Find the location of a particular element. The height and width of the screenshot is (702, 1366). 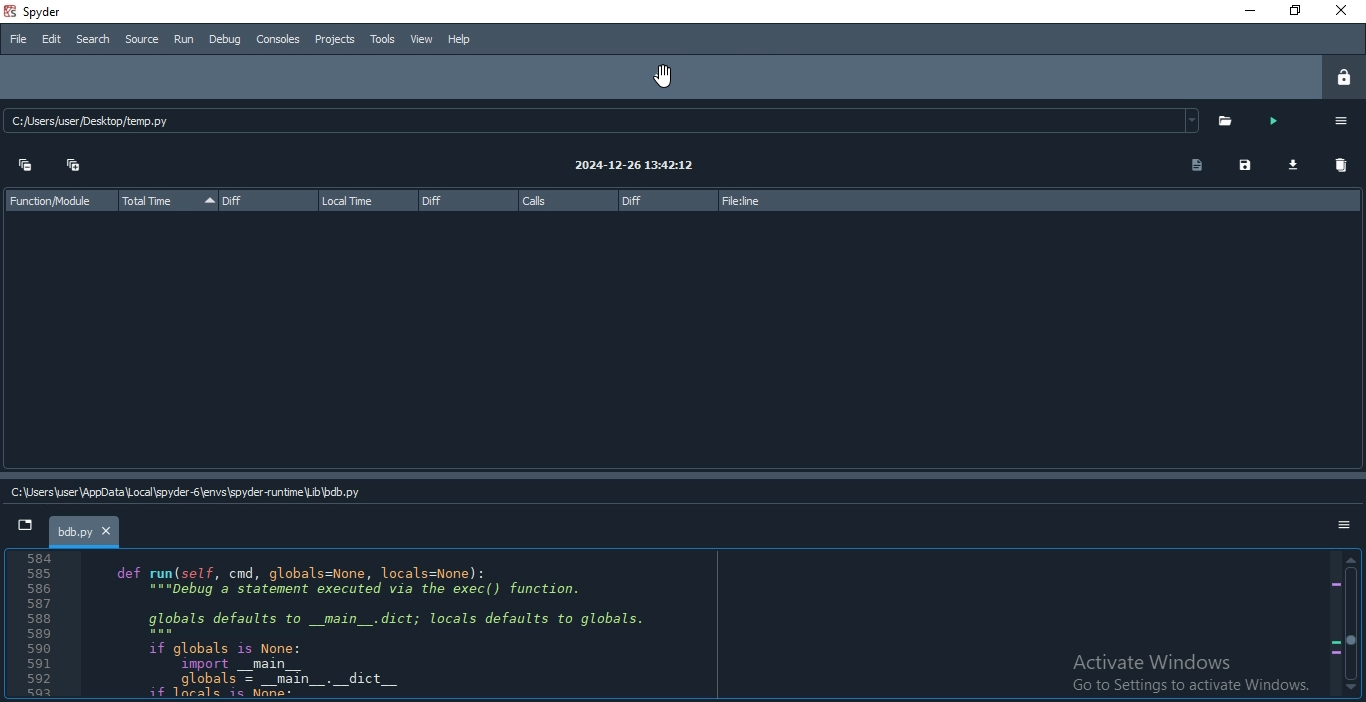

run is located at coordinates (1275, 121).